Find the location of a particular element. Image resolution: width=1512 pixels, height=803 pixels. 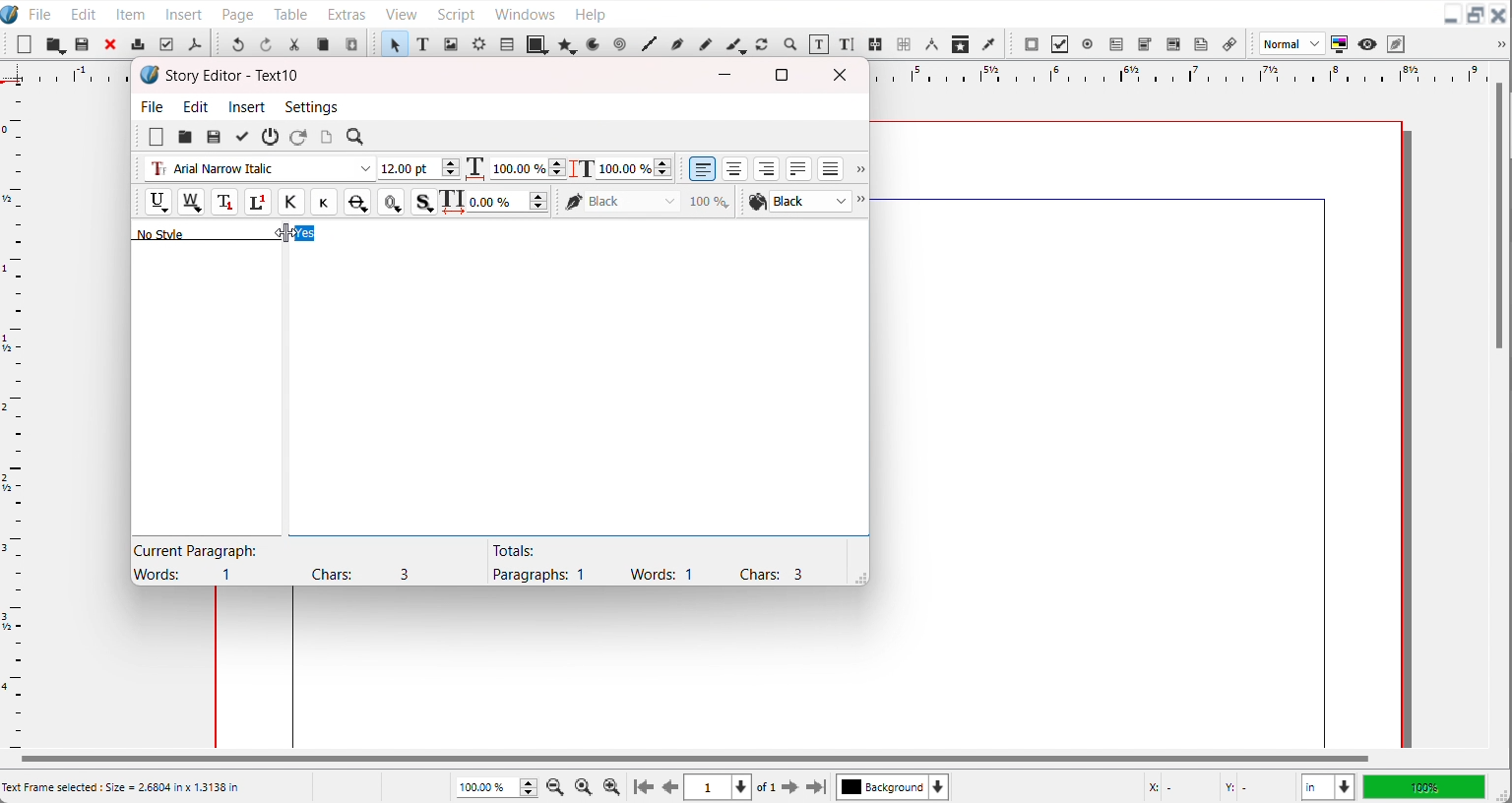

Unlink text frame is located at coordinates (903, 44).